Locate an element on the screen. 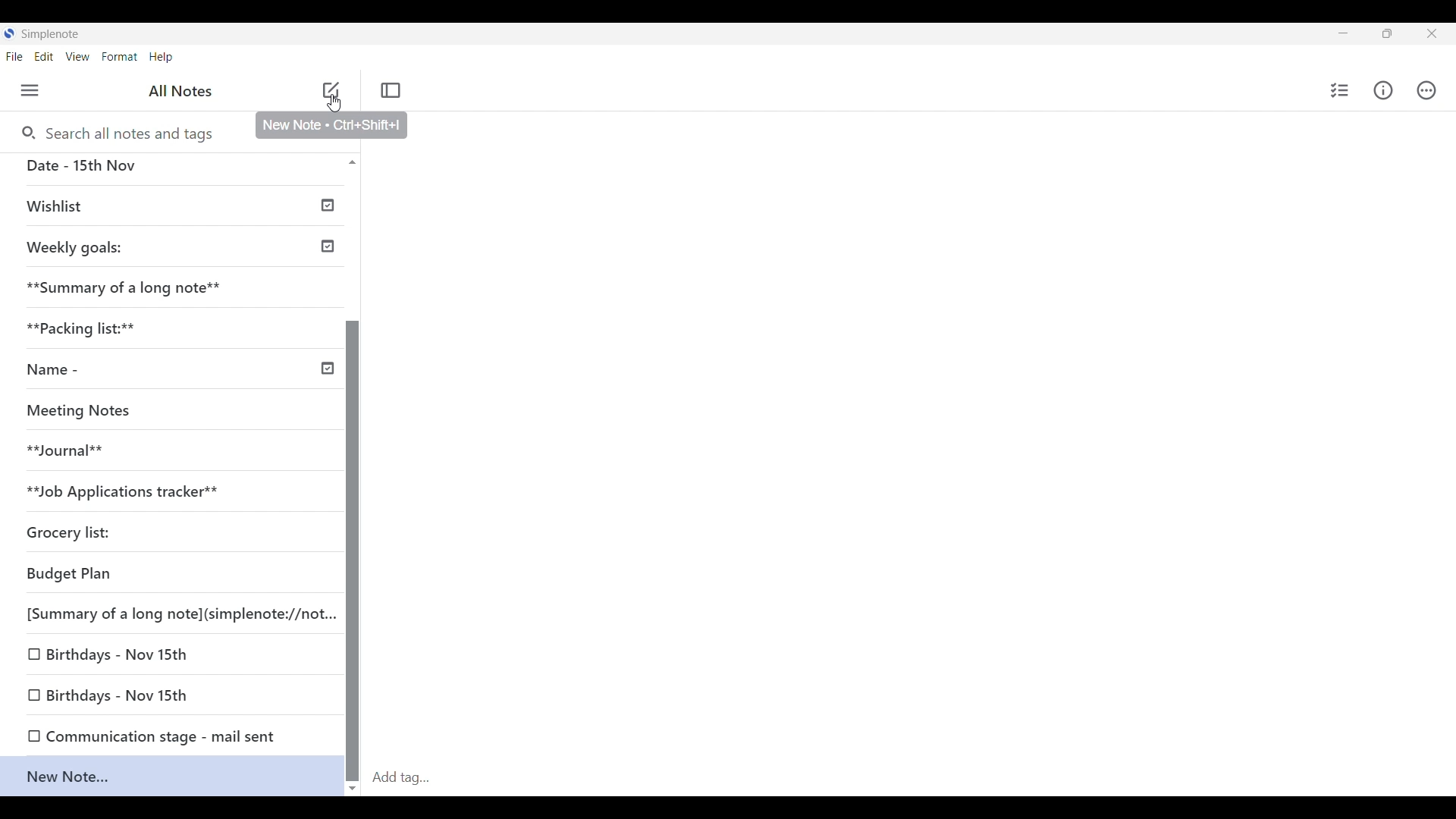  Show in a smaller tab is located at coordinates (1387, 33).